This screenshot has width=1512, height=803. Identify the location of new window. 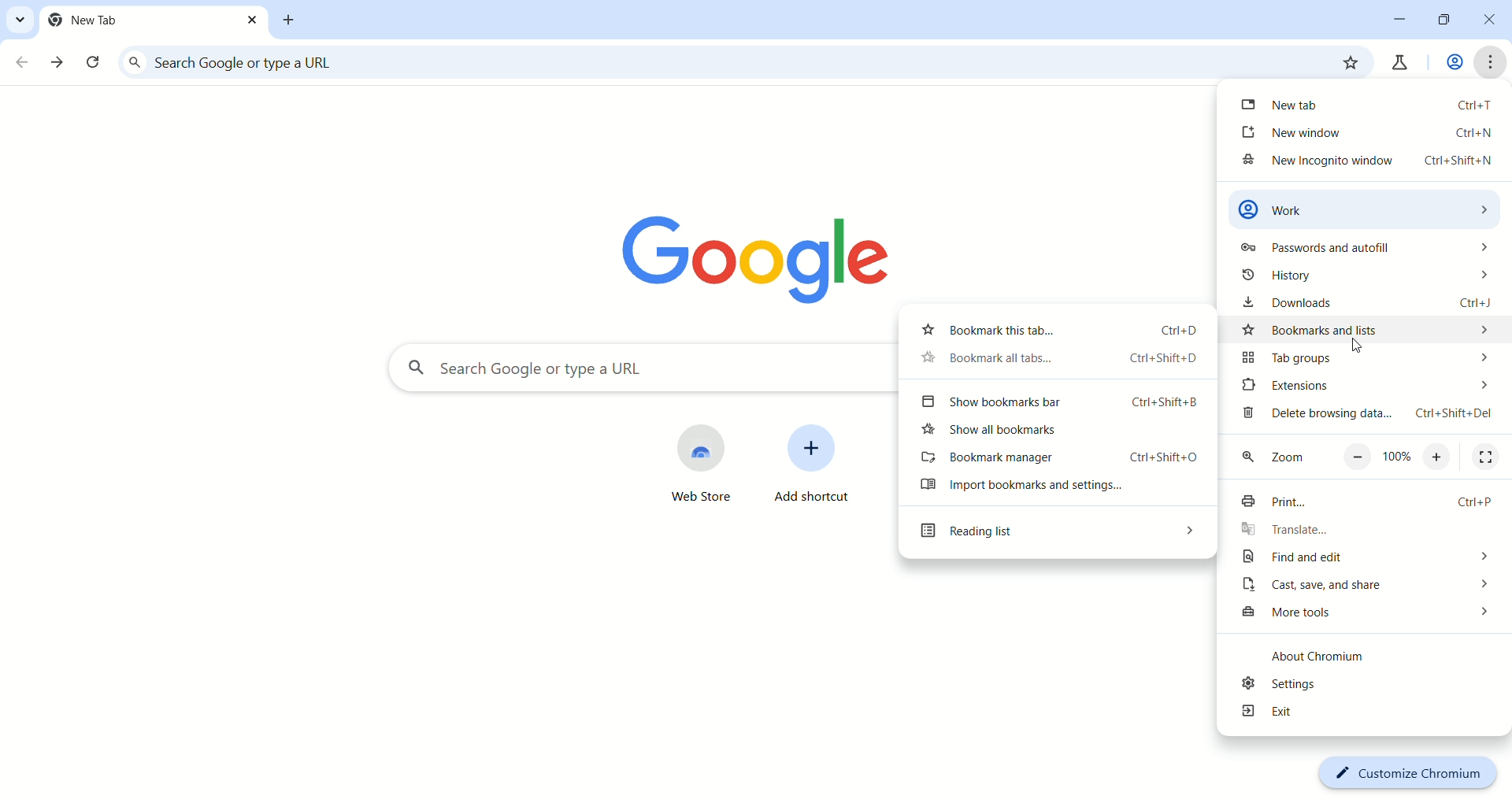
(1369, 132).